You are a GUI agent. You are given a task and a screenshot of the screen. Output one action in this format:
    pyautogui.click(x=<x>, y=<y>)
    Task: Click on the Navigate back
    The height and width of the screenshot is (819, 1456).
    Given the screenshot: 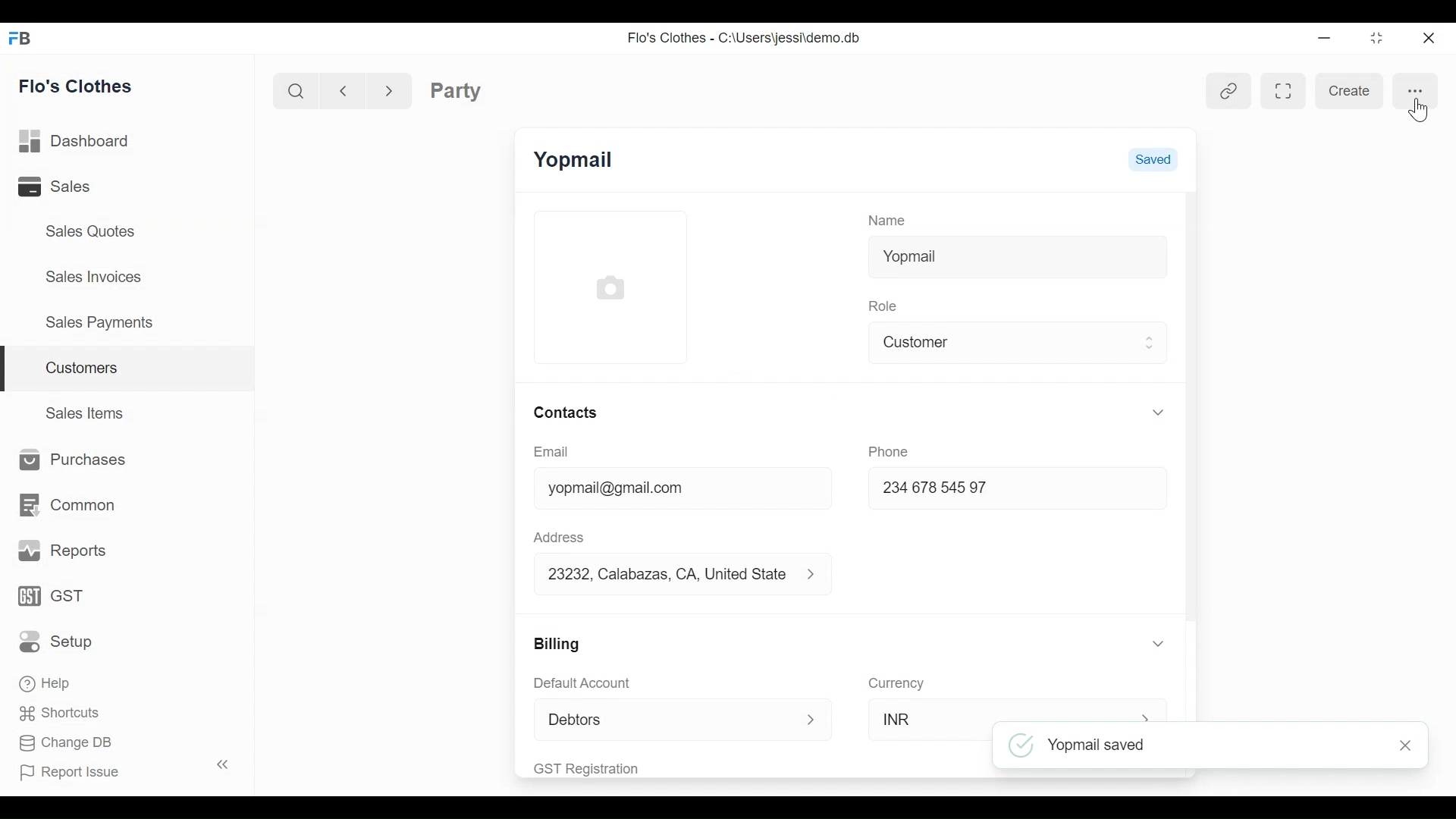 What is the action you would take?
    pyautogui.click(x=341, y=89)
    